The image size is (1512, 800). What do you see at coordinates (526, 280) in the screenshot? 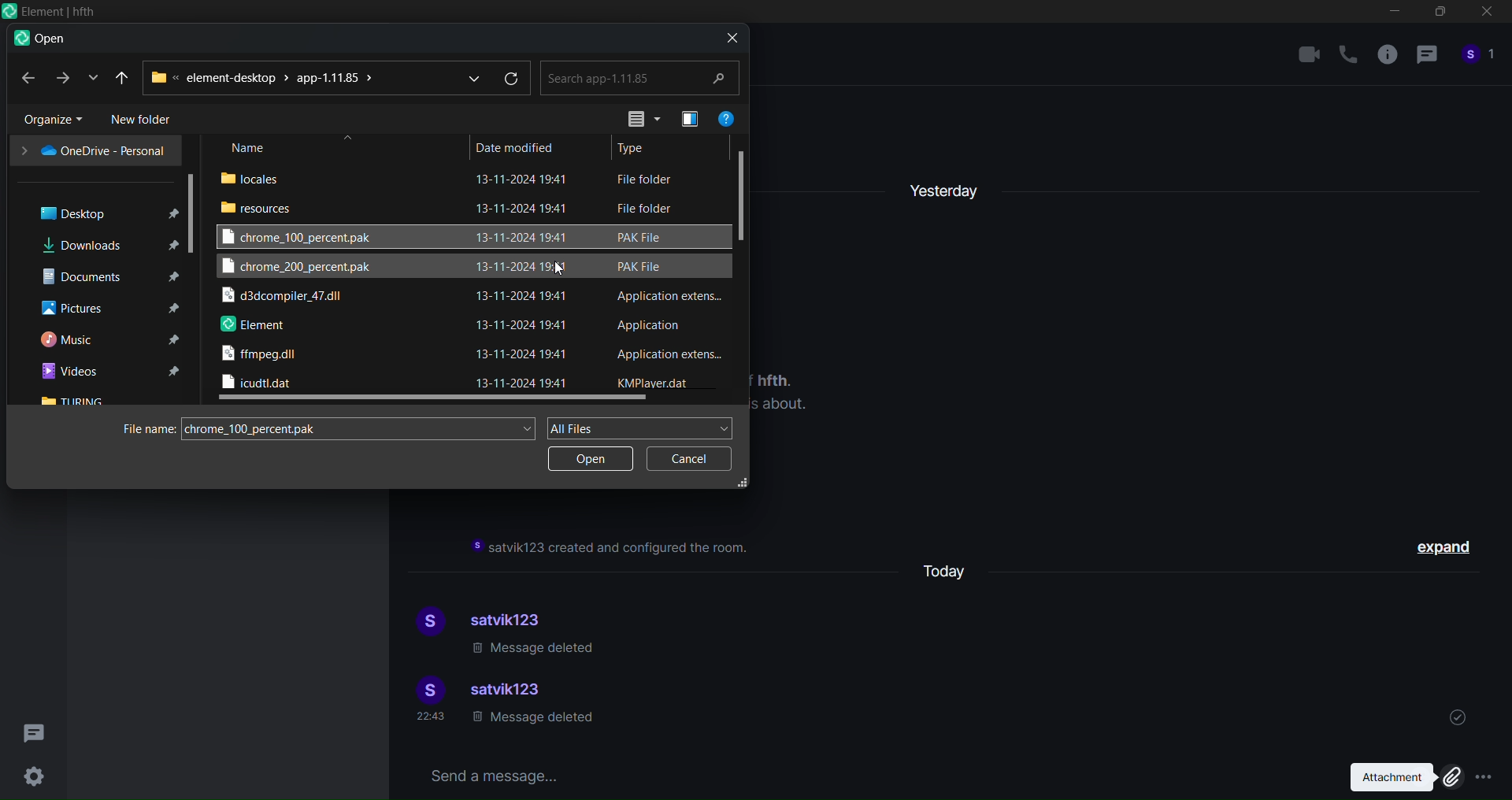
I see `date` at bounding box center [526, 280].